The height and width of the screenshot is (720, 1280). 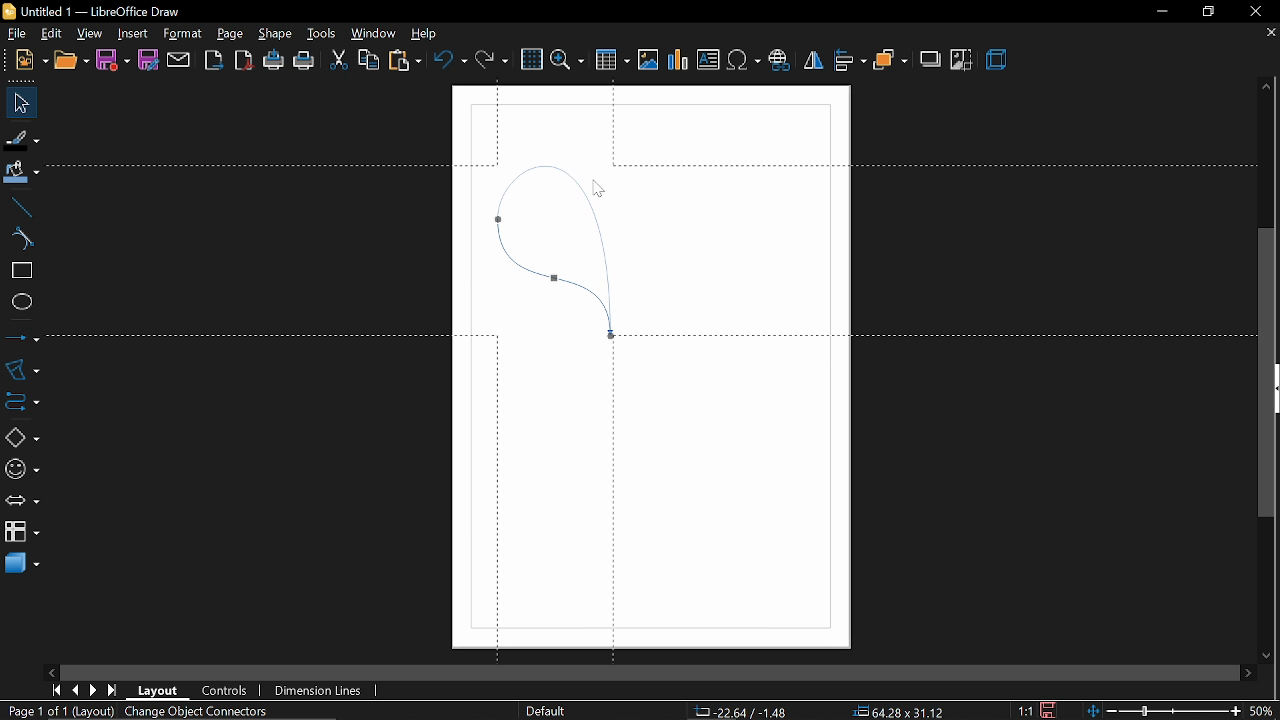 I want to click on (Layout) Object Connectors selected, so click(x=173, y=712).